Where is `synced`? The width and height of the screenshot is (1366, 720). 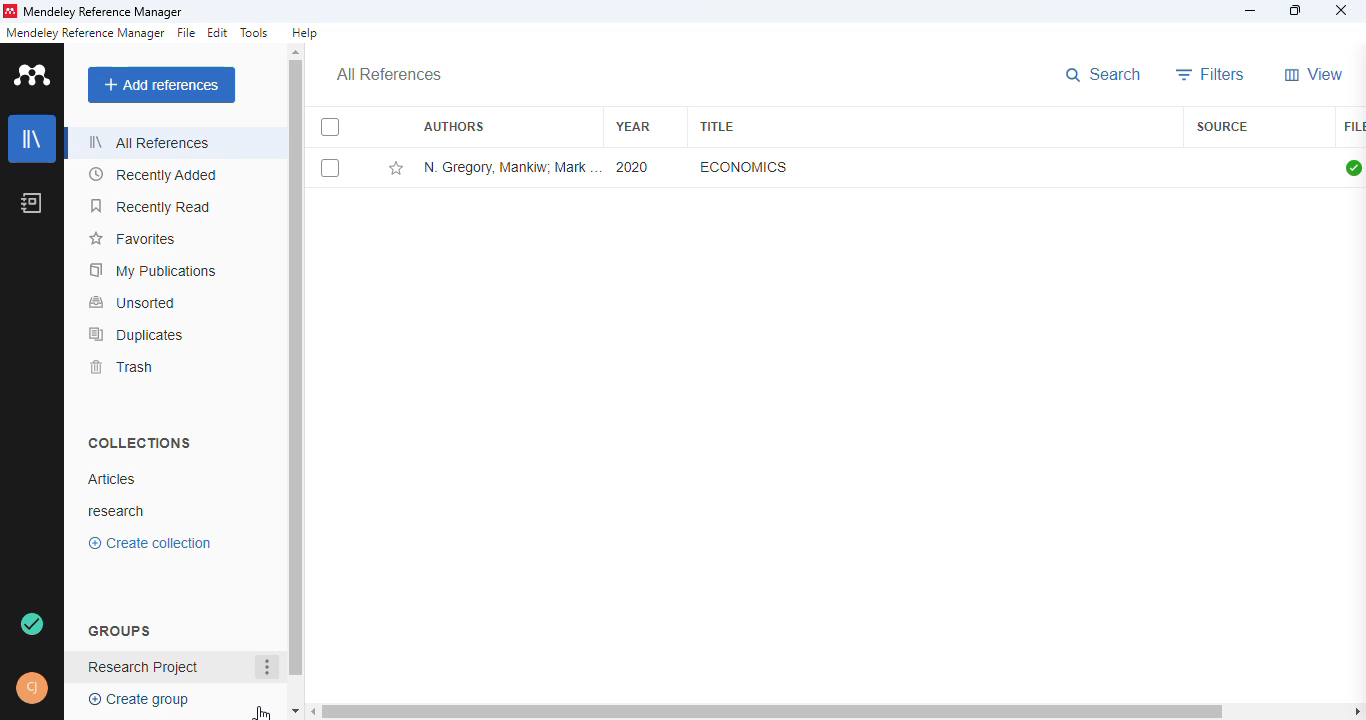 synced is located at coordinates (33, 626).